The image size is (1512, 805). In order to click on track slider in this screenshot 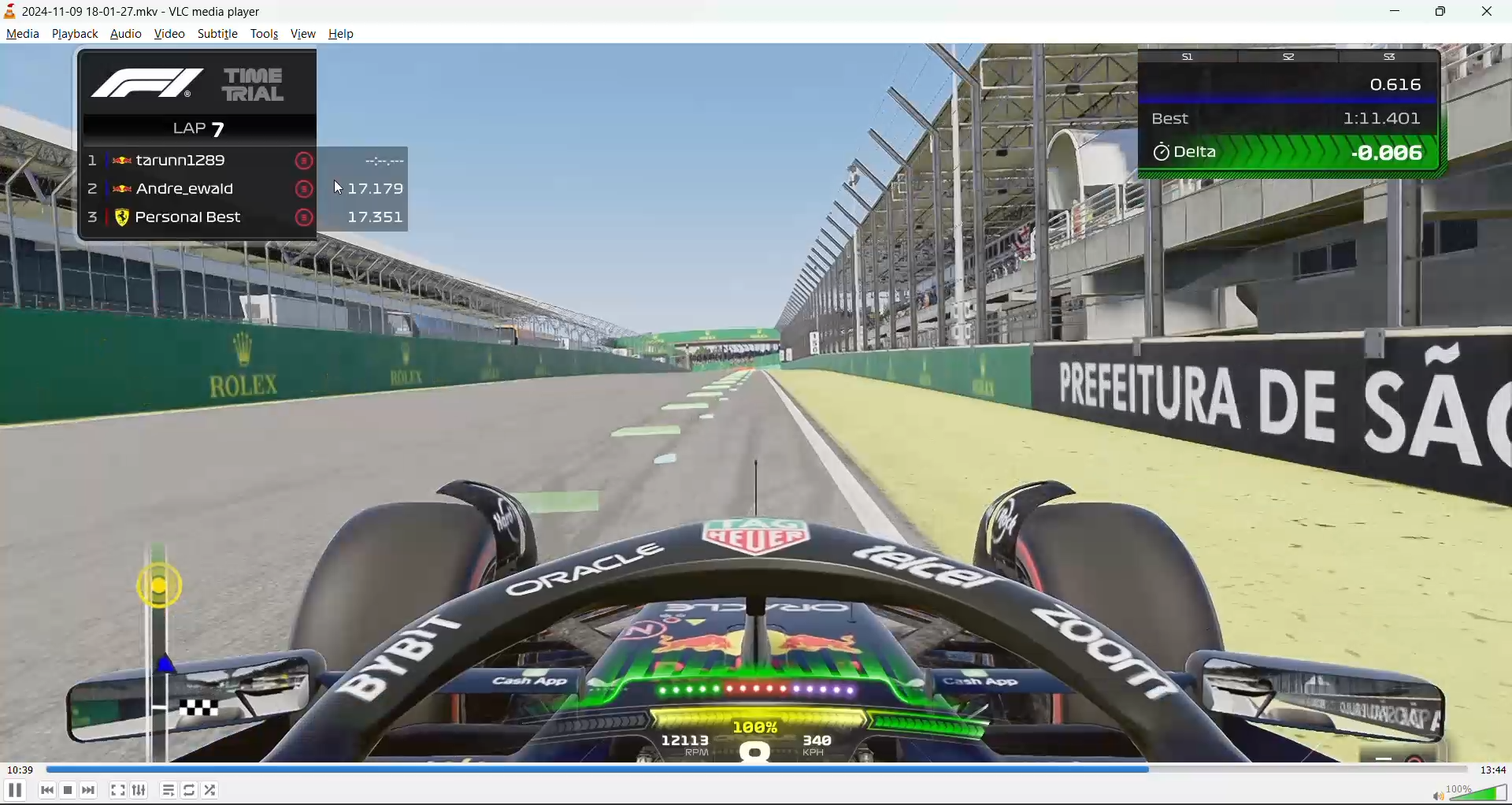, I will do `click(754, 769)`.